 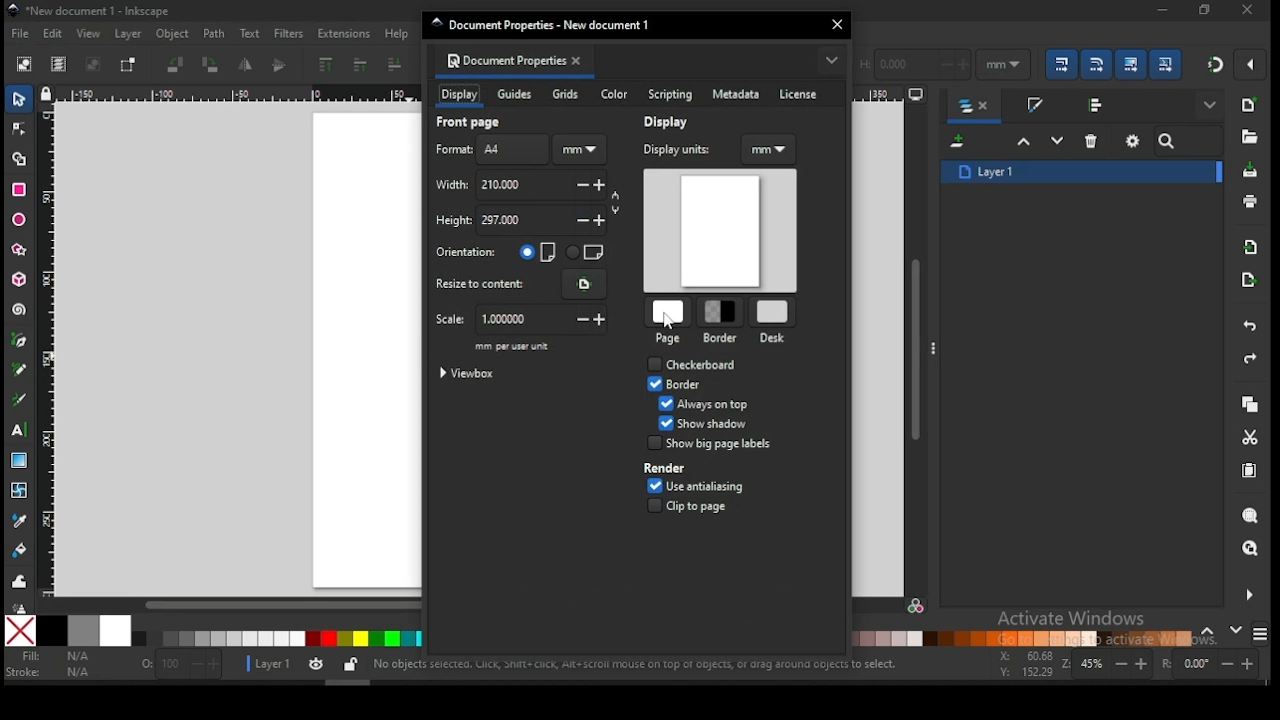 I want to click on close window, so click(x=1203, y=10).